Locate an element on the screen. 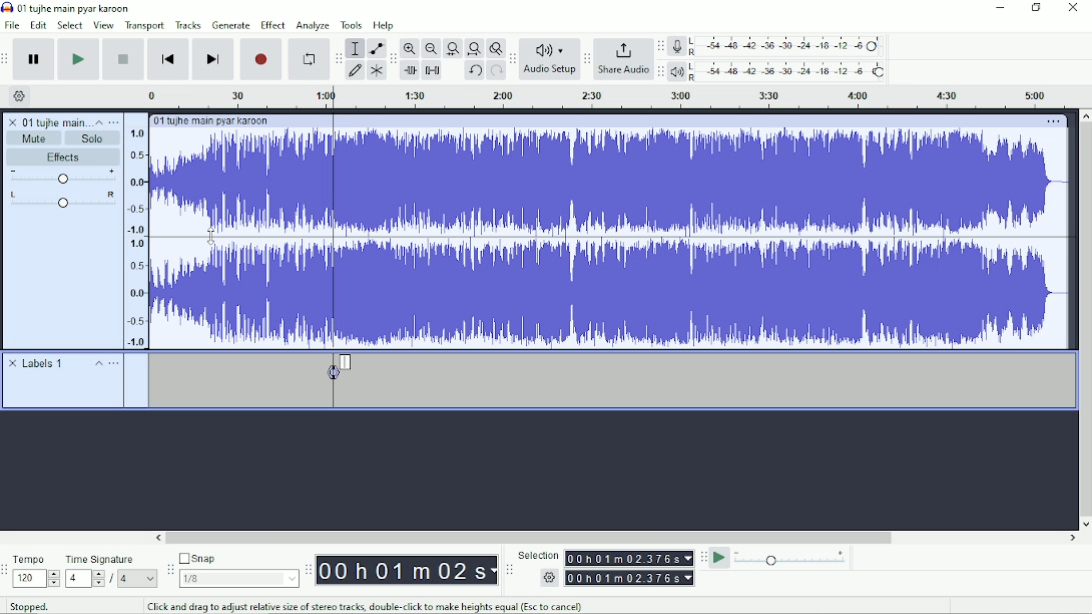  Time signature is located at coordinates (112, 569).